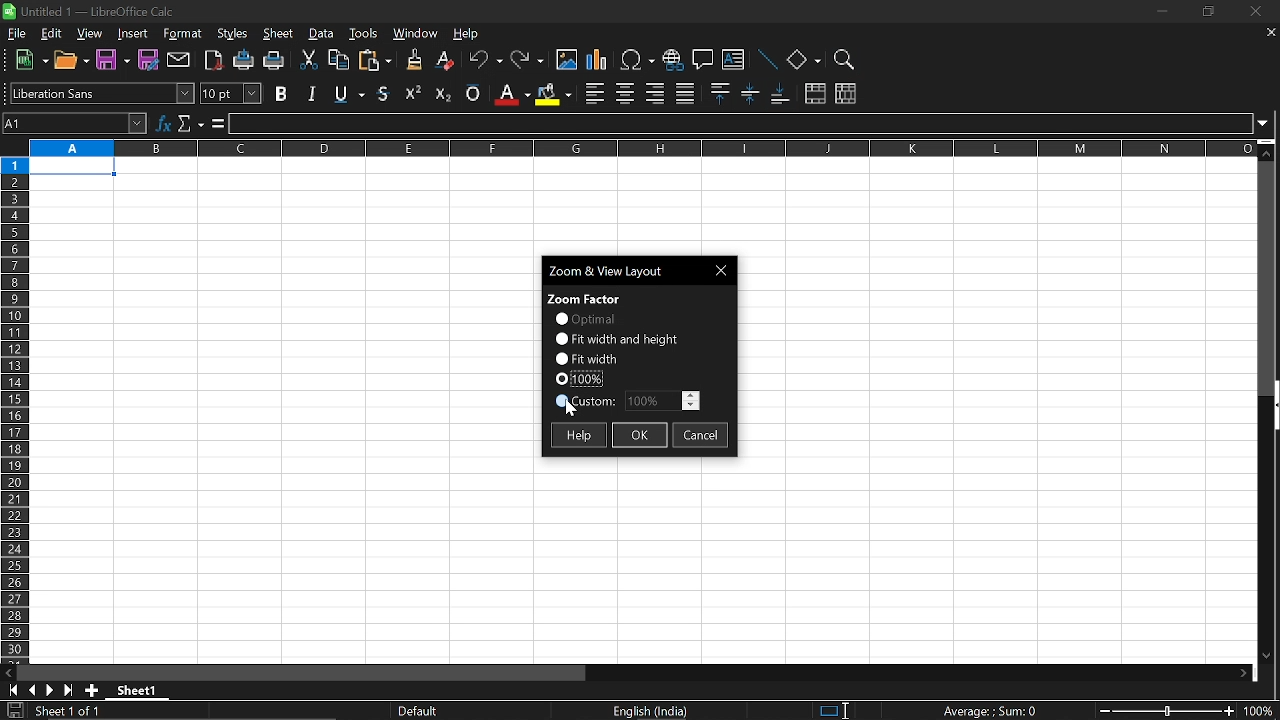 Image resolution: width=1280 pixels, height=720 pixels. Describe the element at coordinates (834, 710) in the screenshot. I see `standard selection` at that location.